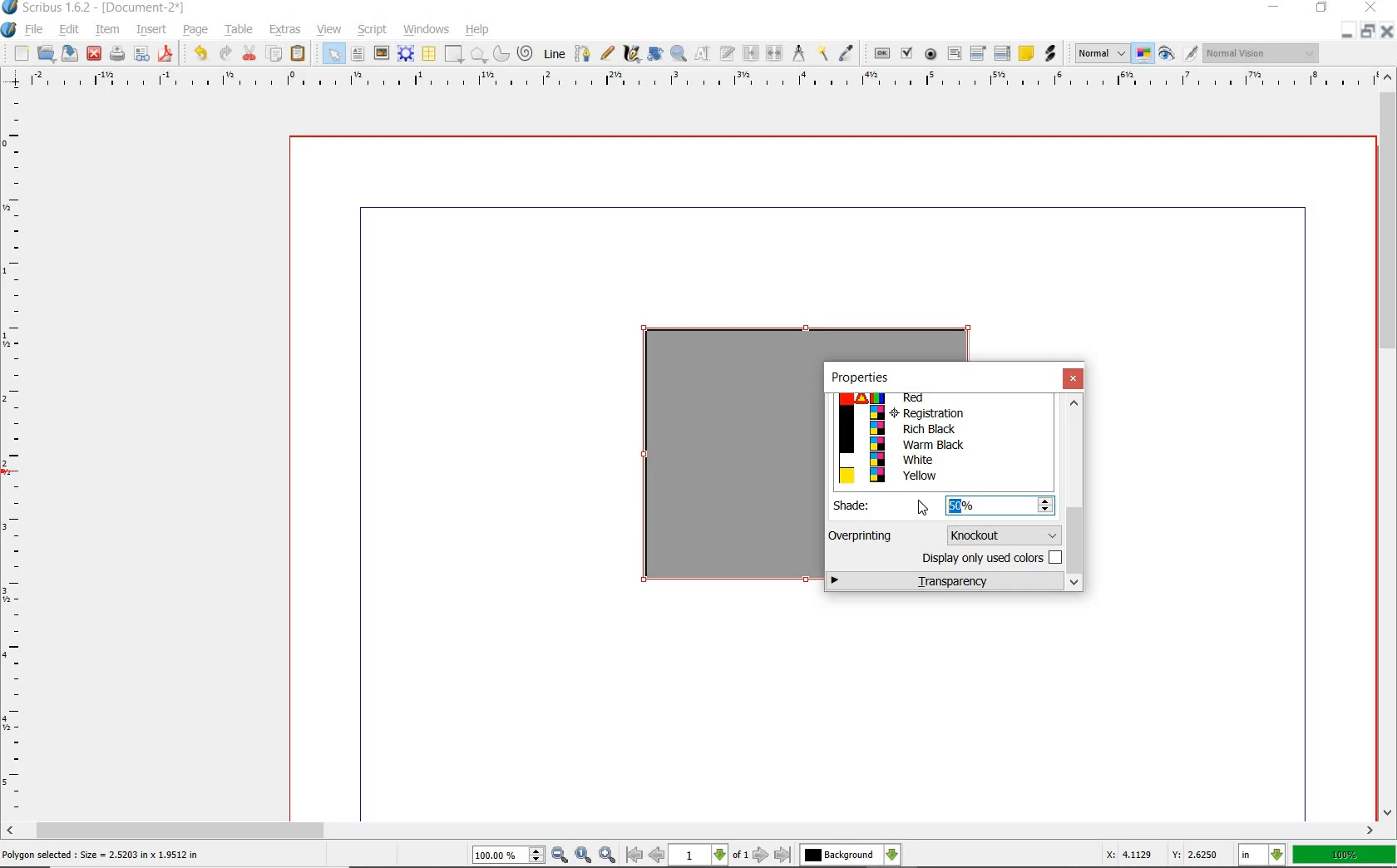  I want to click on file, so click(35, 32).